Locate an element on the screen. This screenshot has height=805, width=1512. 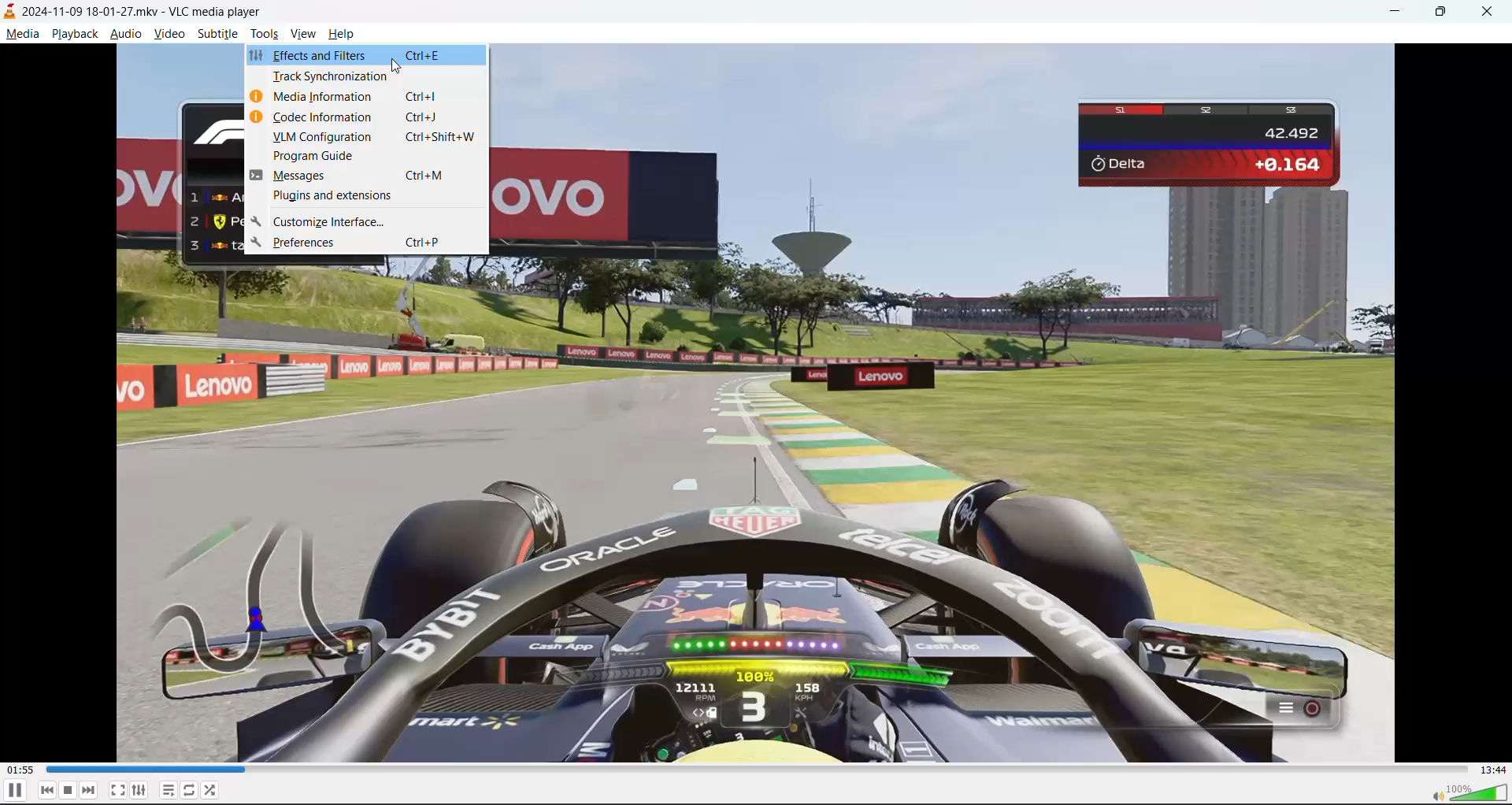
media information is located at coordinates (366, 97).